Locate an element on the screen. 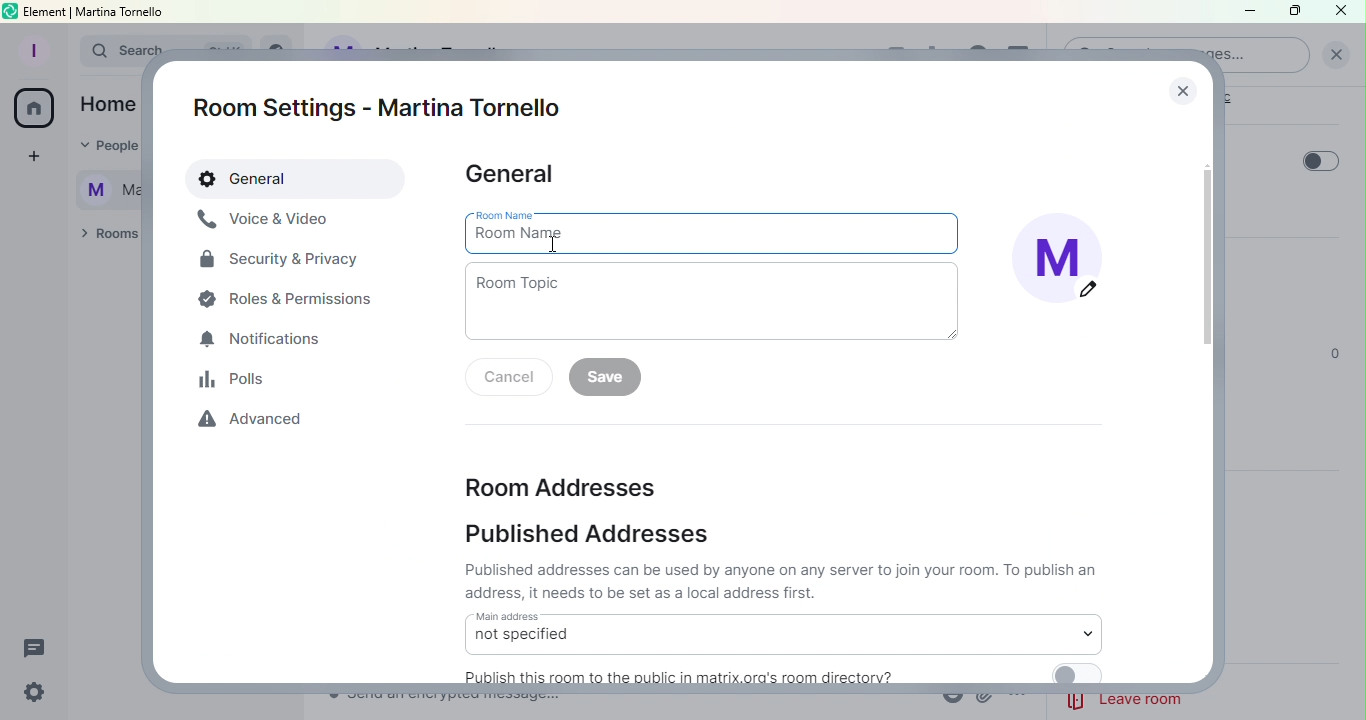  People is located at coordinates (102, 147).